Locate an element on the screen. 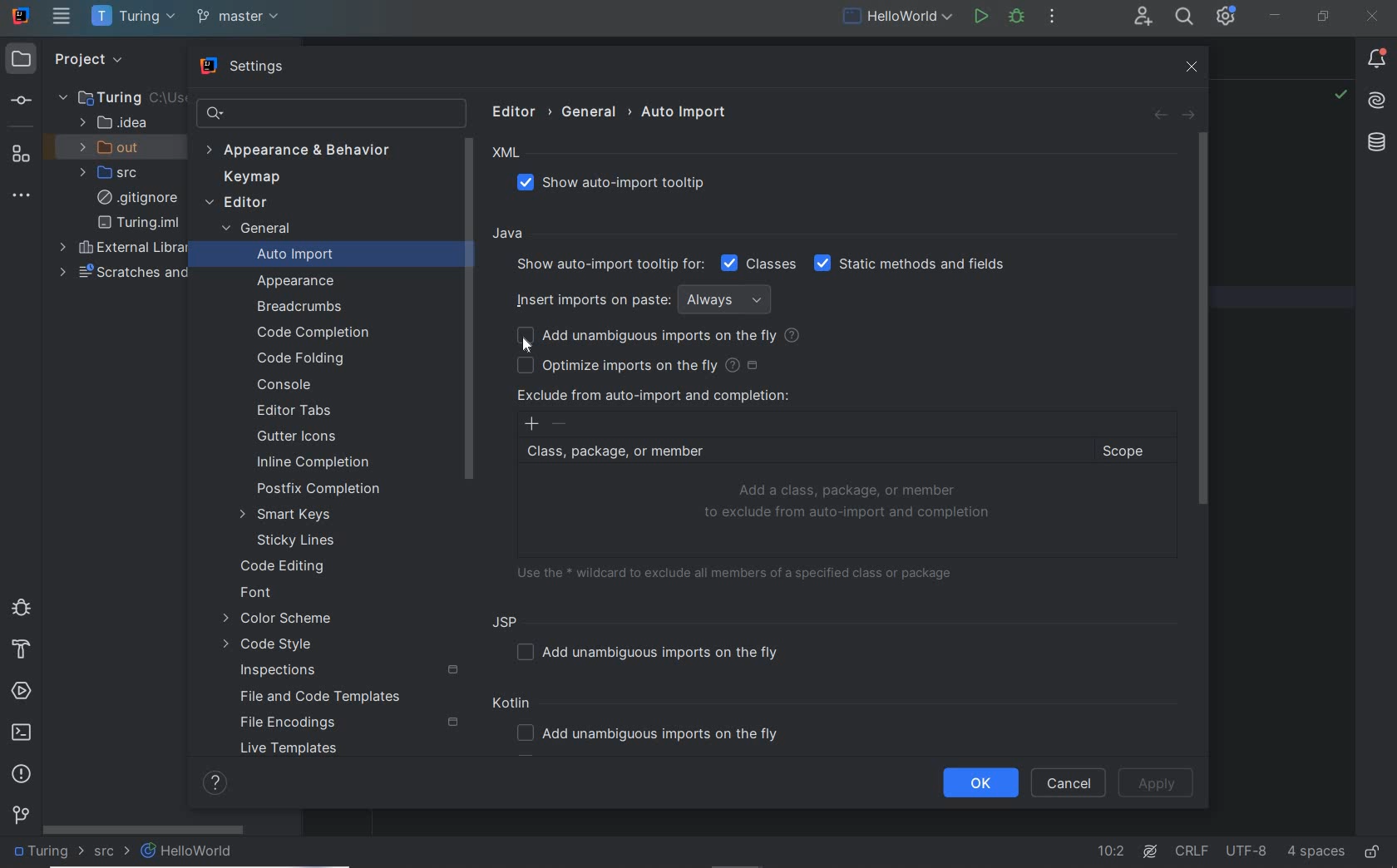  build is located at coordinates (19, 650).